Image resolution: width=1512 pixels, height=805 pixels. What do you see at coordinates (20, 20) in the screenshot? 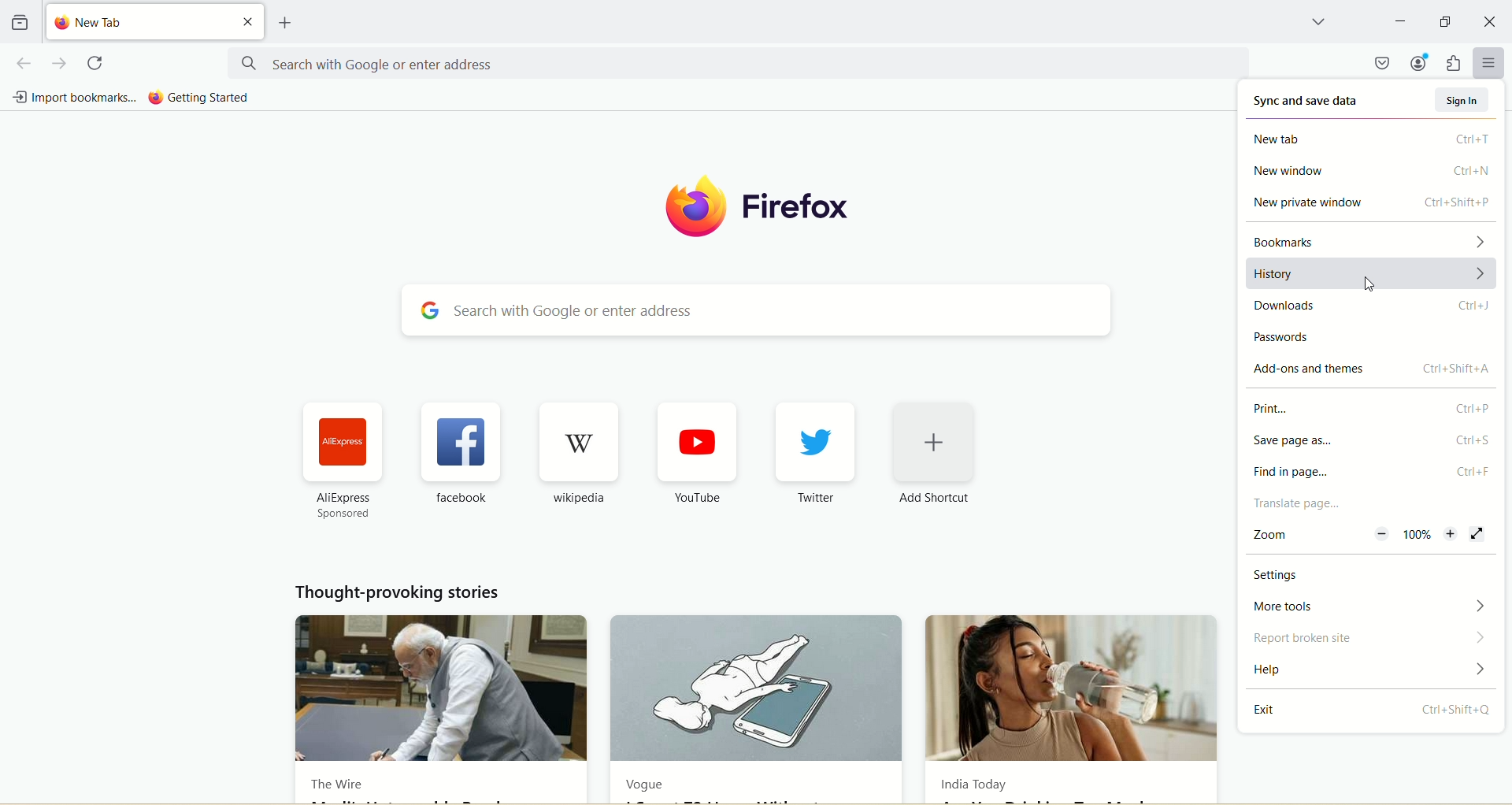
I see `view recent browsing across windows and devices` at bounding box center [20, 20].